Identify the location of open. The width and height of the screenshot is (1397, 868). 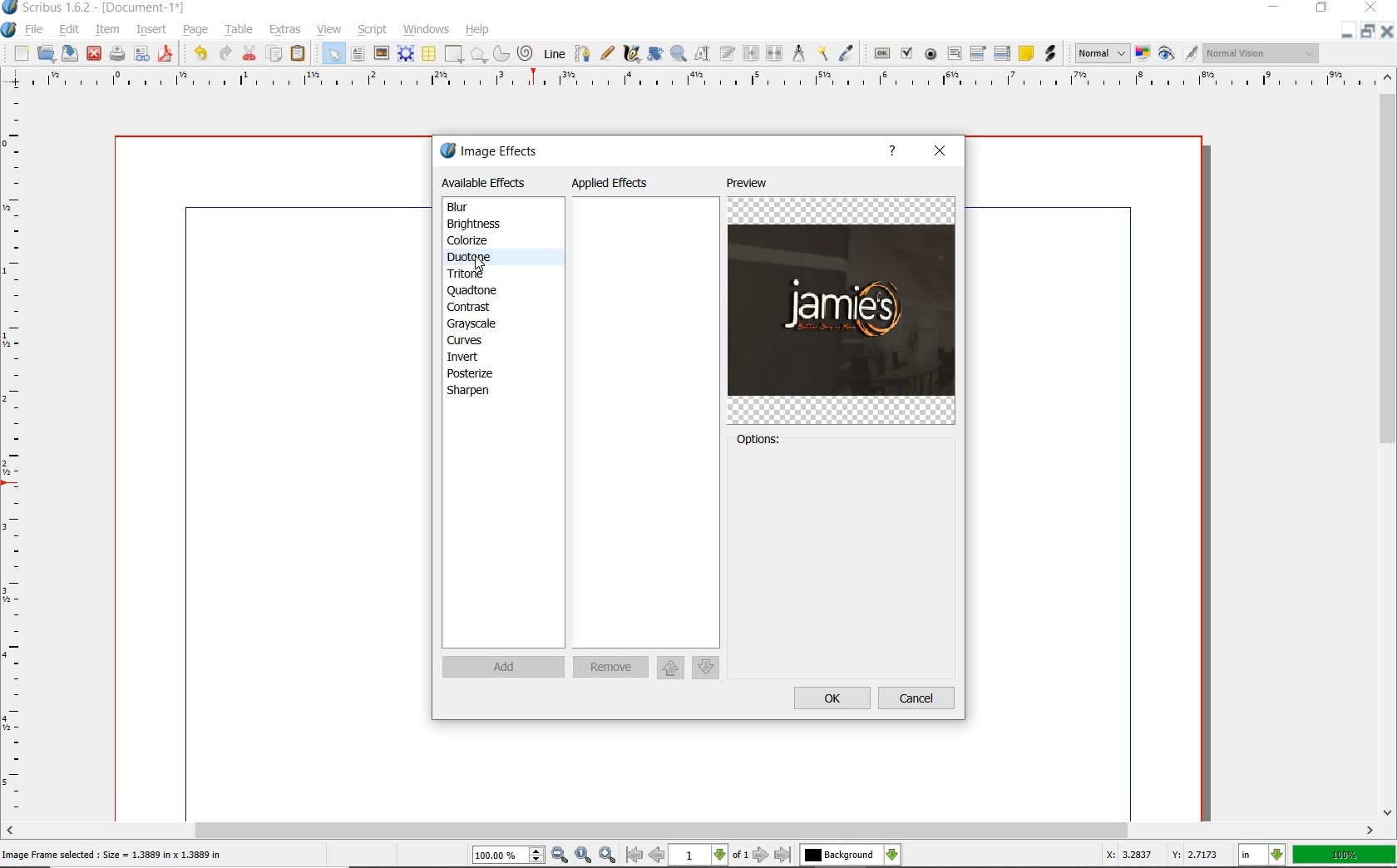
(46, 53).